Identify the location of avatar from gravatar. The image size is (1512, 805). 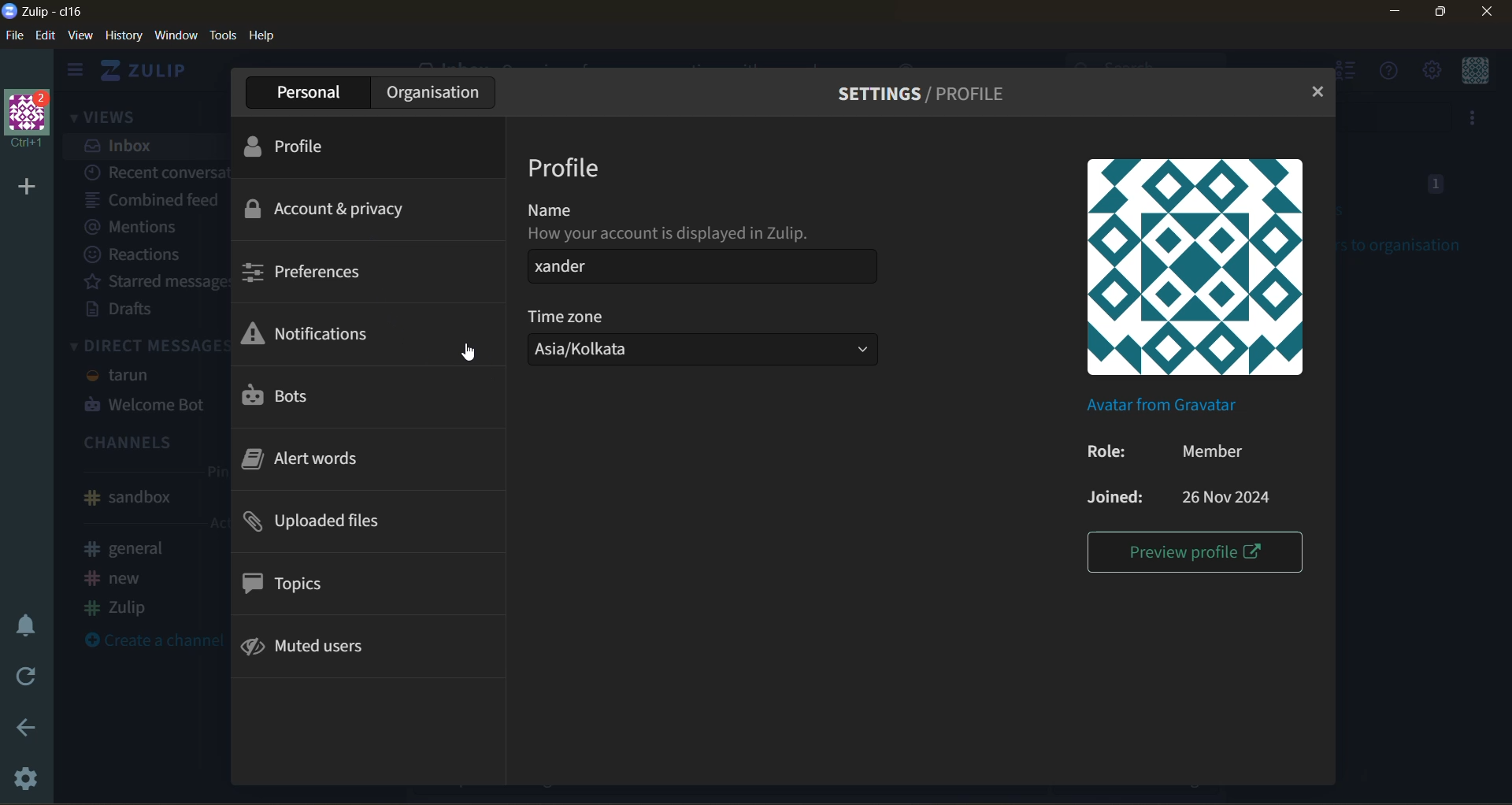
(1162, 407).